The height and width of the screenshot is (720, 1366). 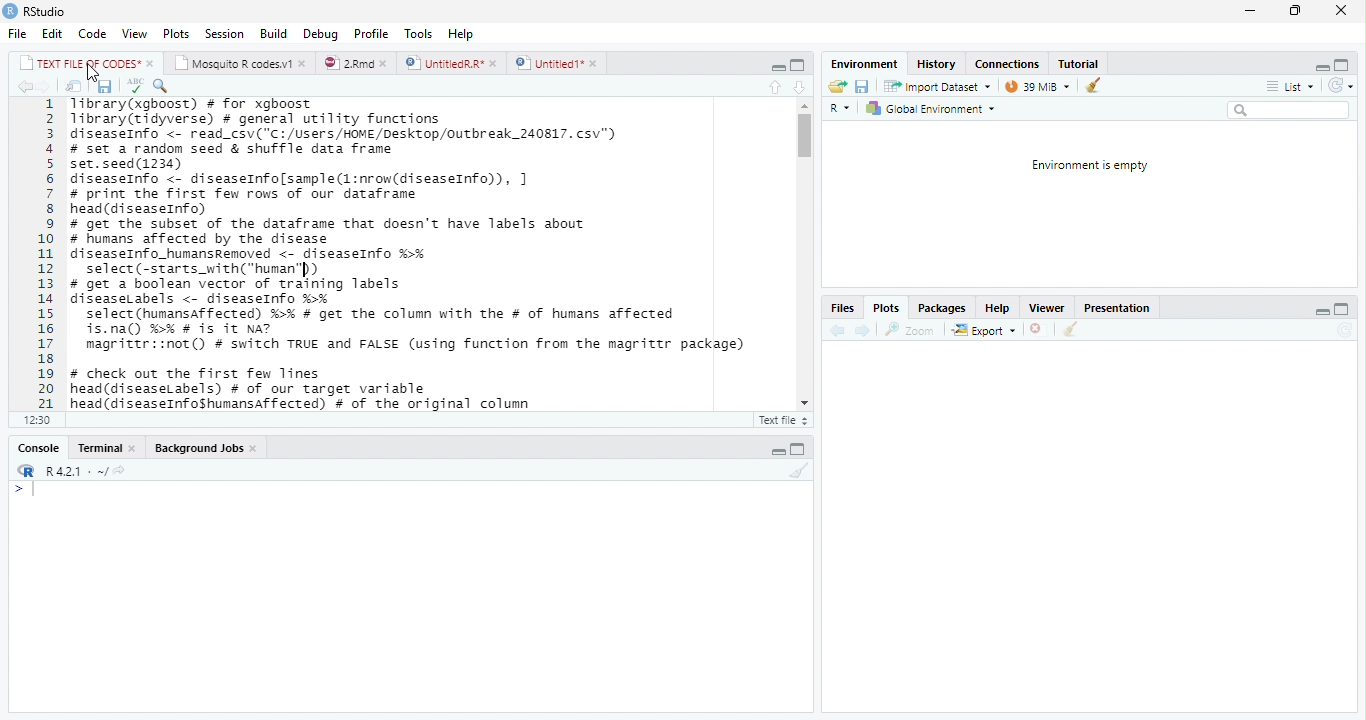 What do you see at coordinates (16, 33) in the screenshot?
I see `File` at bounding box center [16, 33].